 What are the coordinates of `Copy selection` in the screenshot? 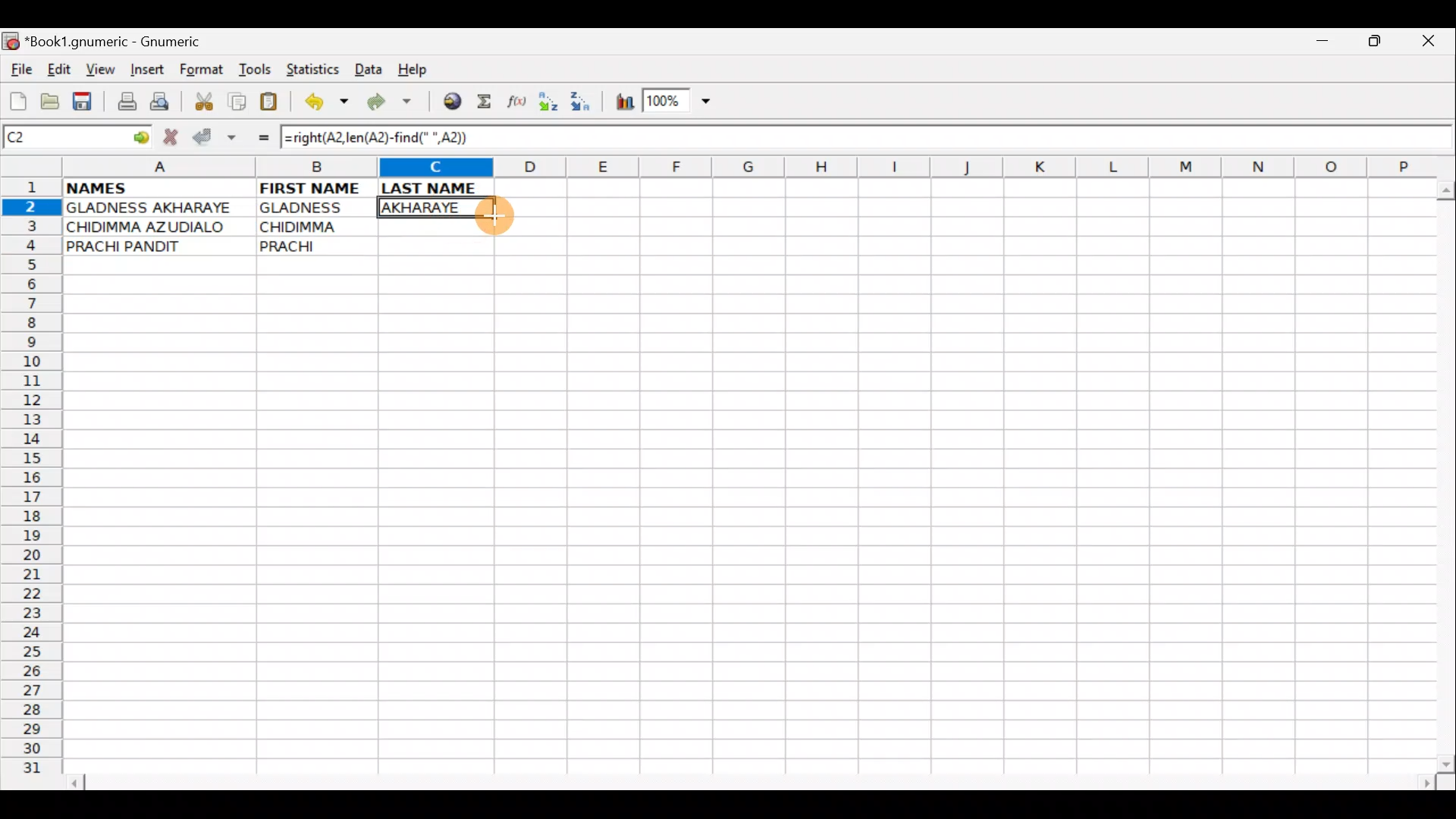 It's located at (238, 101).